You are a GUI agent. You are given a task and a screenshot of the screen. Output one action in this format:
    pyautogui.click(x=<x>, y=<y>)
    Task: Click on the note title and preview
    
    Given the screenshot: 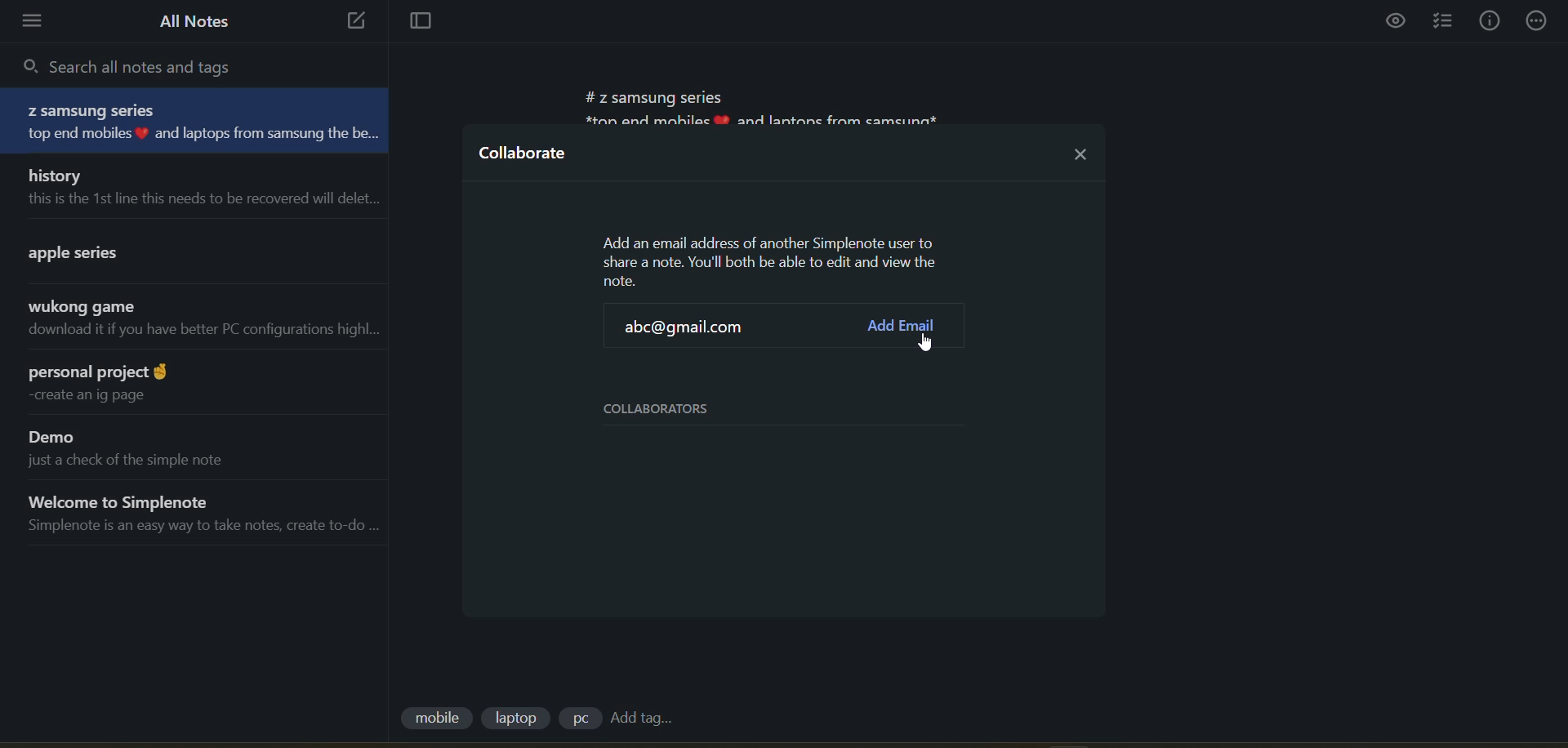 What is the action you would take?
    pyautogui.click(x=196, y=382)
    